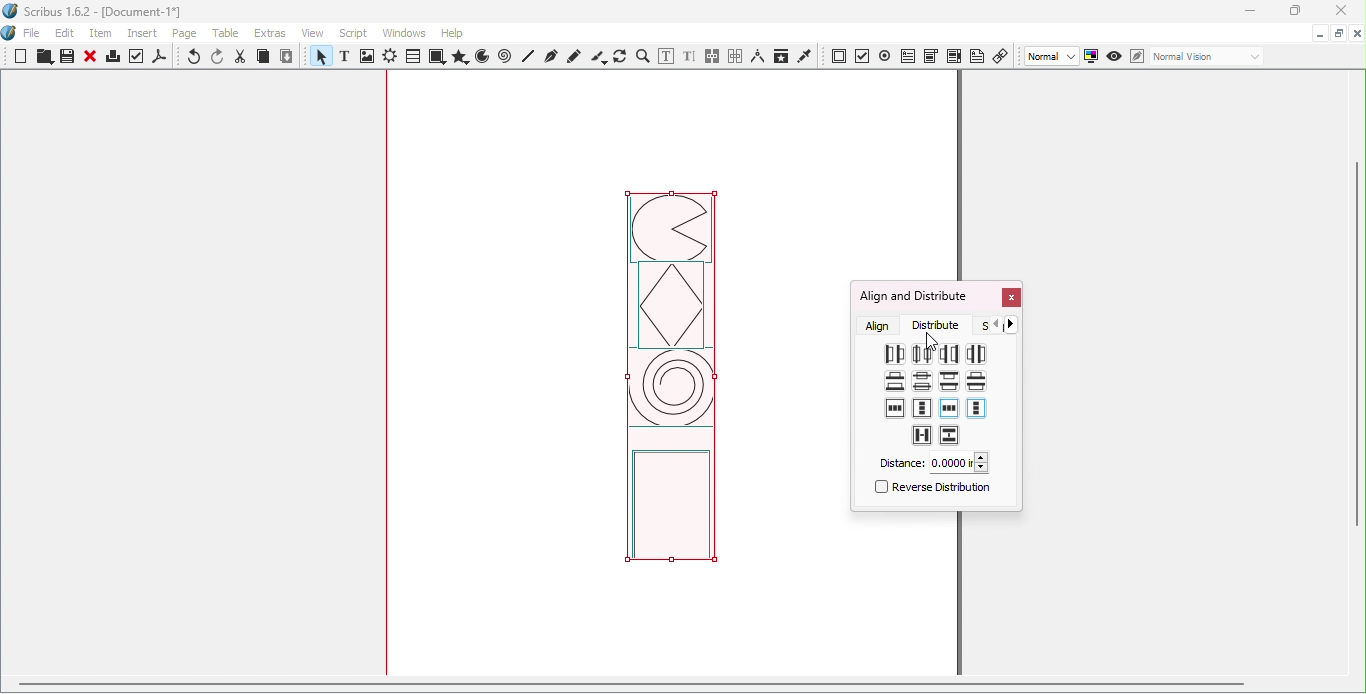  I want to click on Unlink text frames, so click(735, 56).